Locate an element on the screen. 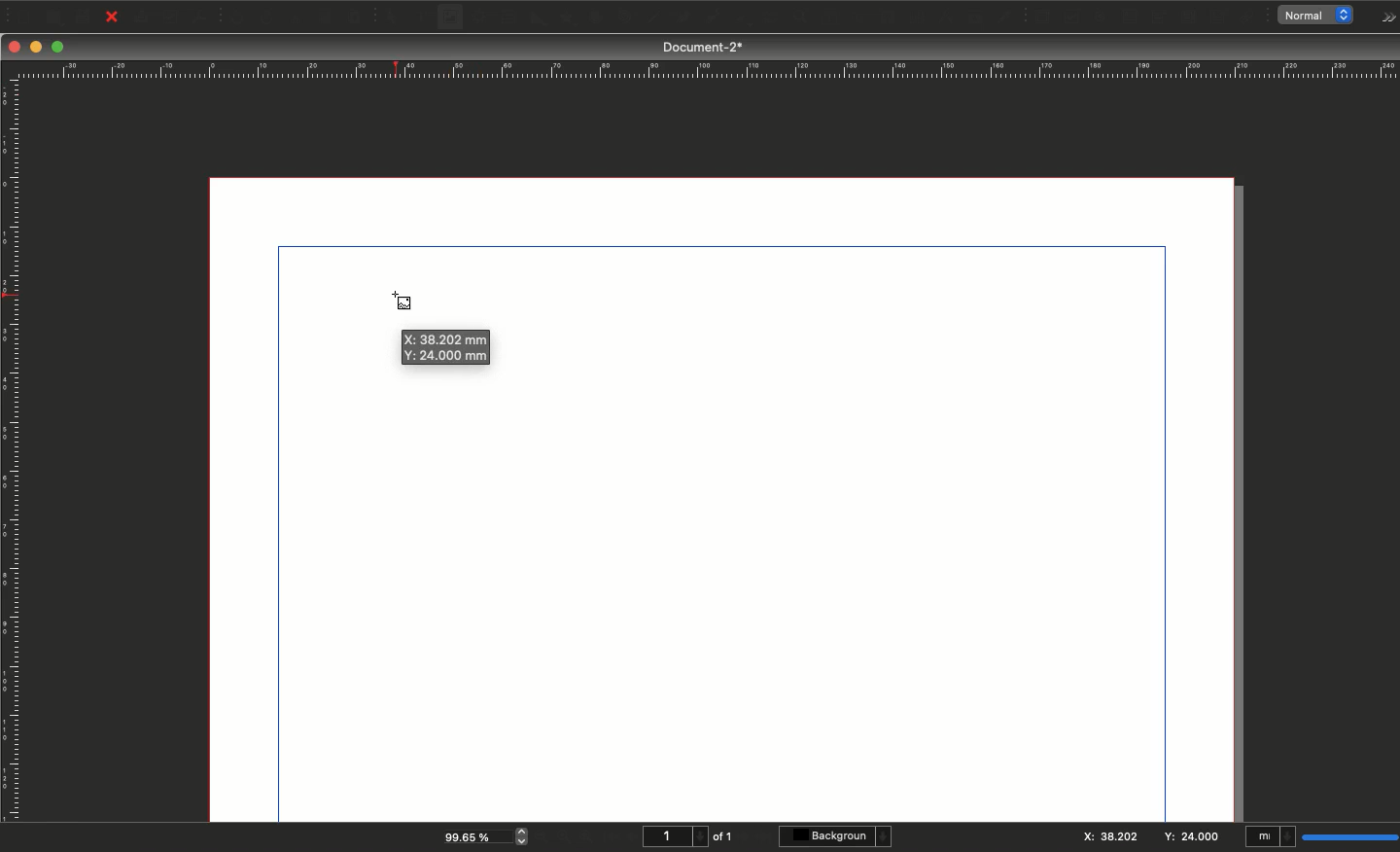 The width and height of the screenshot is (1400, 852). Edit contents of frame is located at coordinates (810, 18).